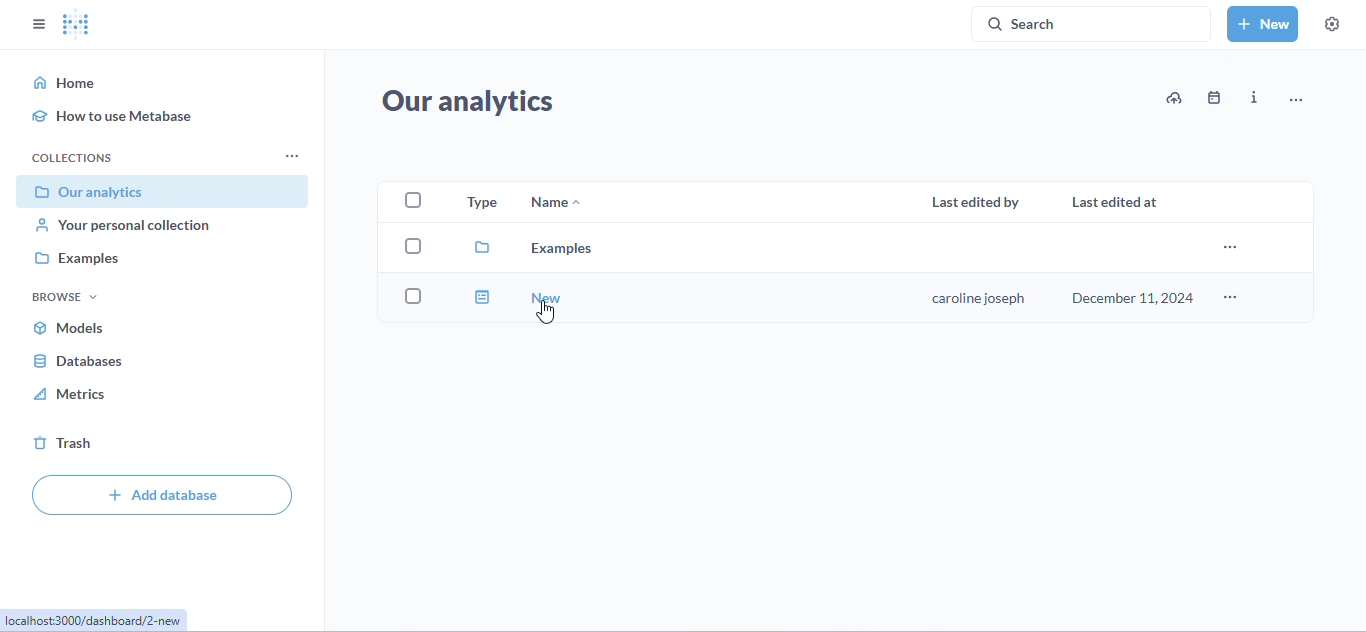 The height and width of the screenshot is (632, 1366). Describe the element at coordinates (1263, 23) in the screenshot. I see `new` at that location.